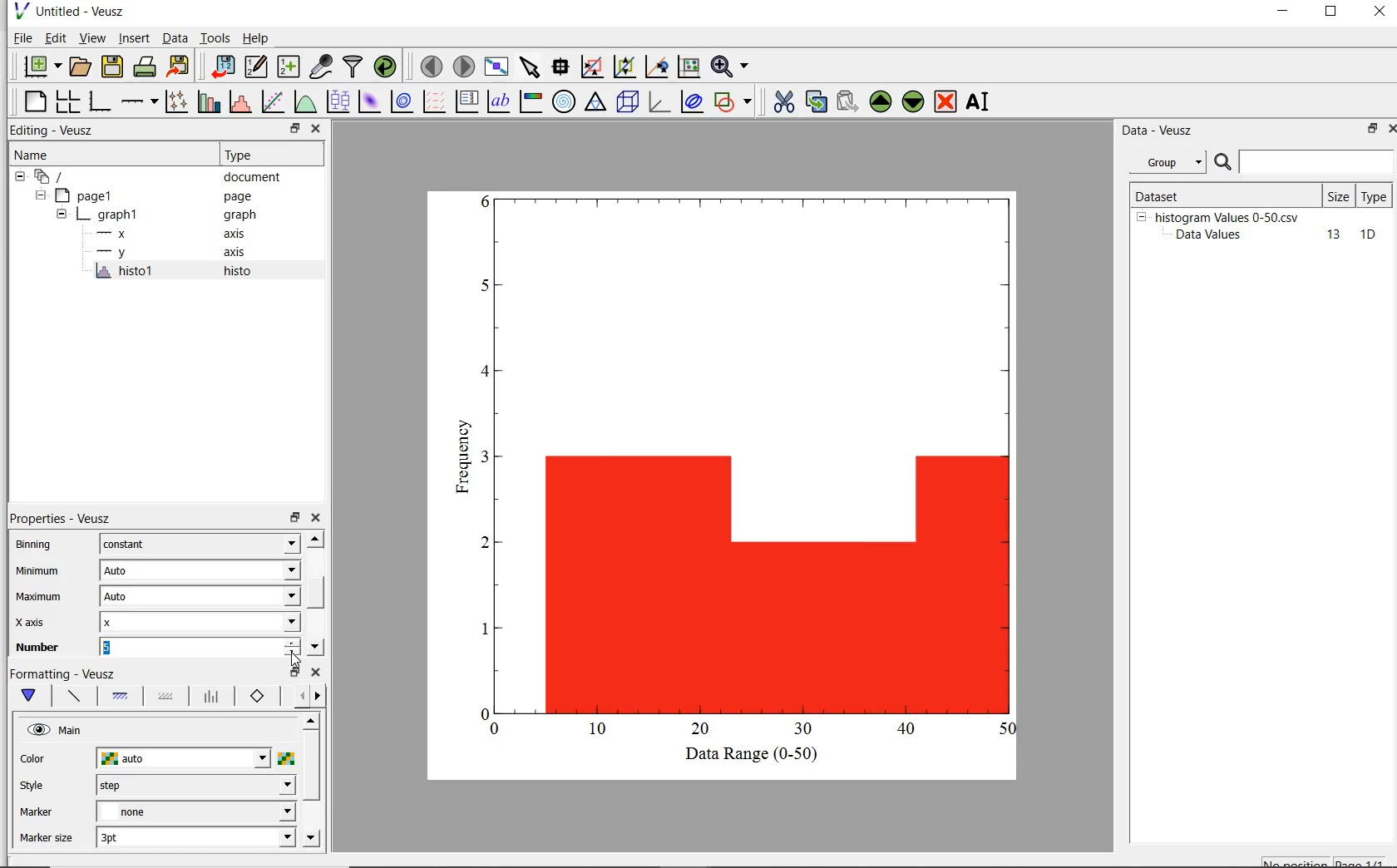  What do you see at coordinates (460, 461) in the screenshot?
I see `frequency` at bounding box center [460, 461].